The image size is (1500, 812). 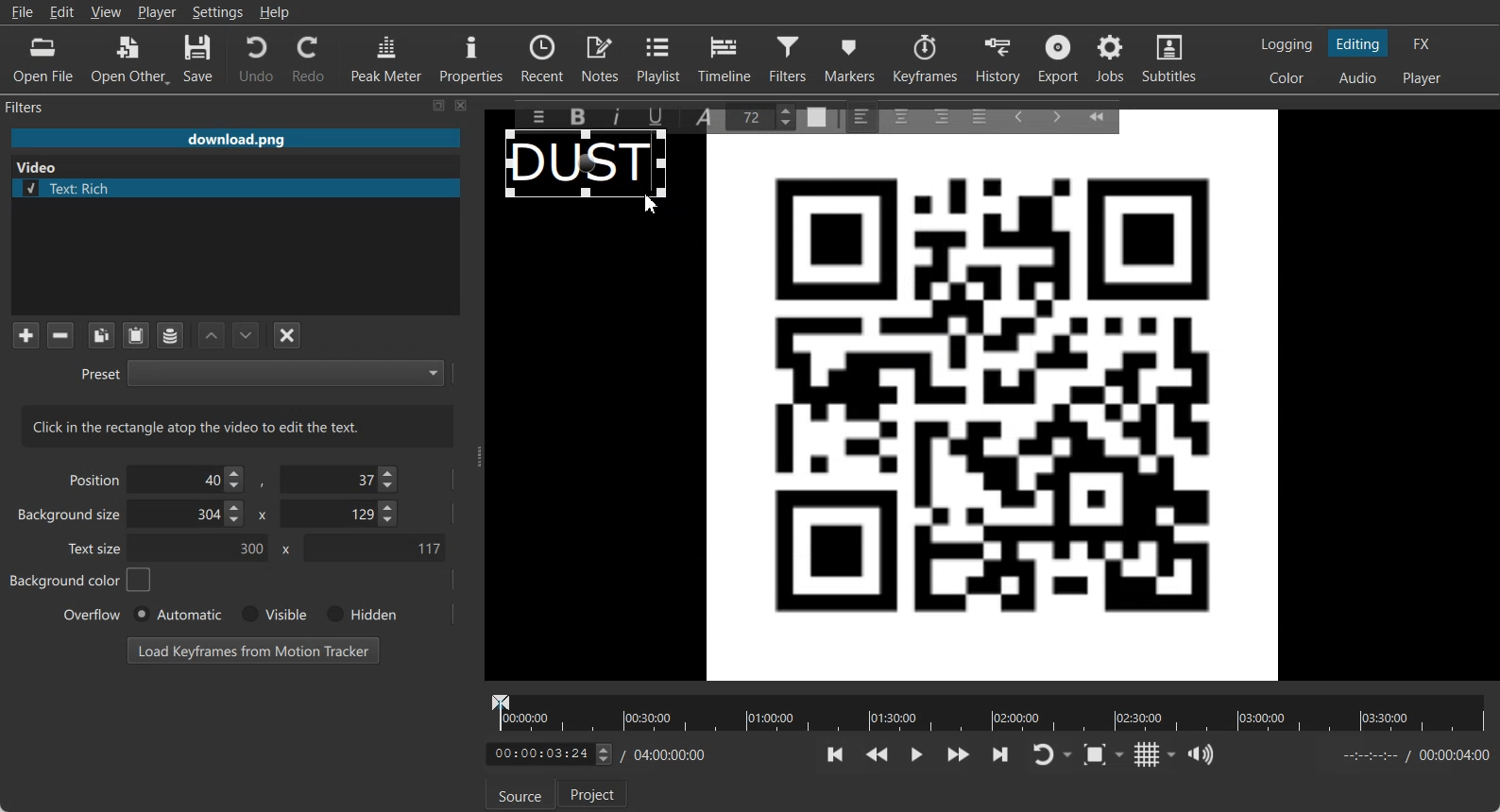 What do you see at coordinates (462, 105) in the screenshot?
I see `Close` at bounding box center [462, 105].